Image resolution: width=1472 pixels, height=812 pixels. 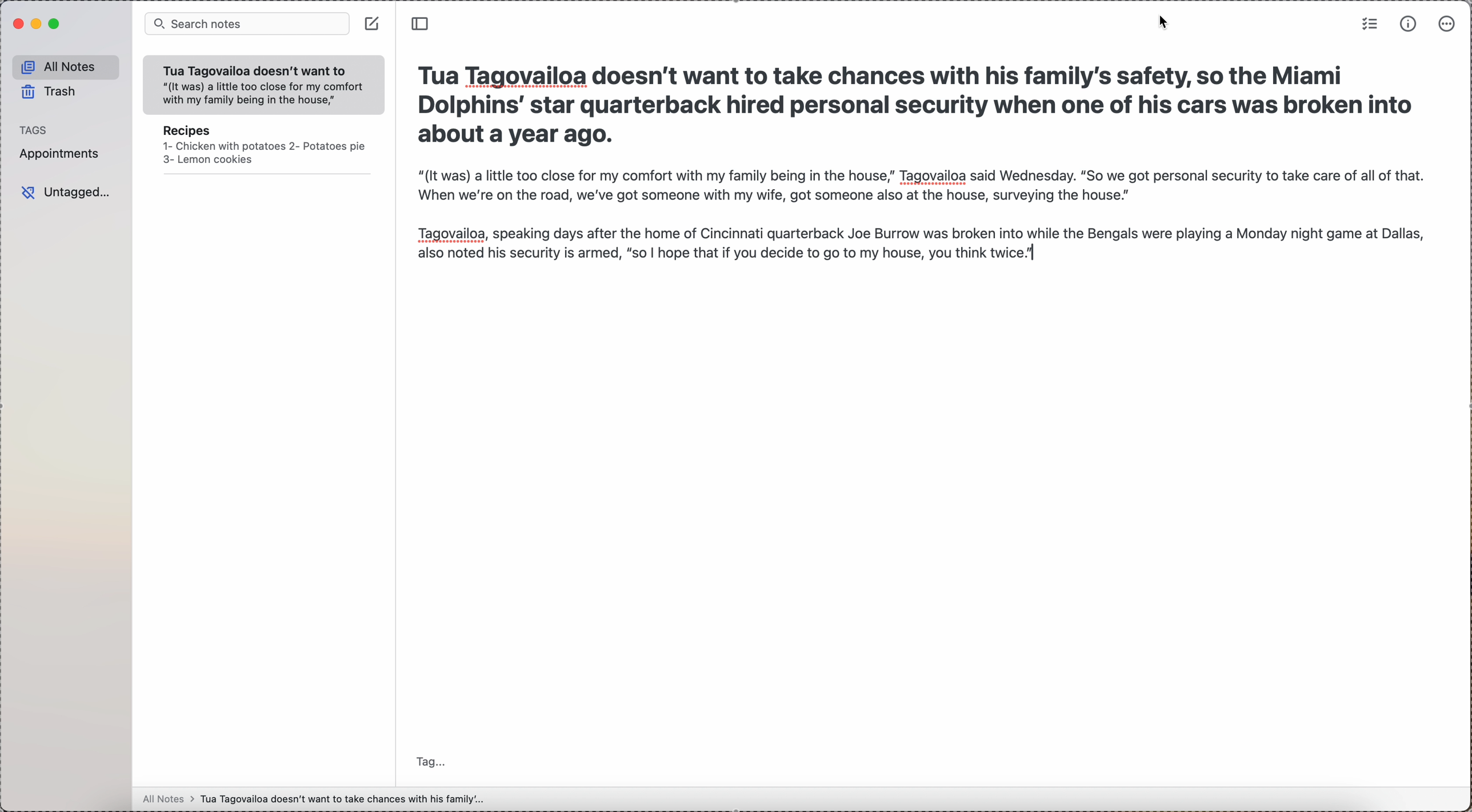 I want to click on minimize app, so click(x=38, y=25).